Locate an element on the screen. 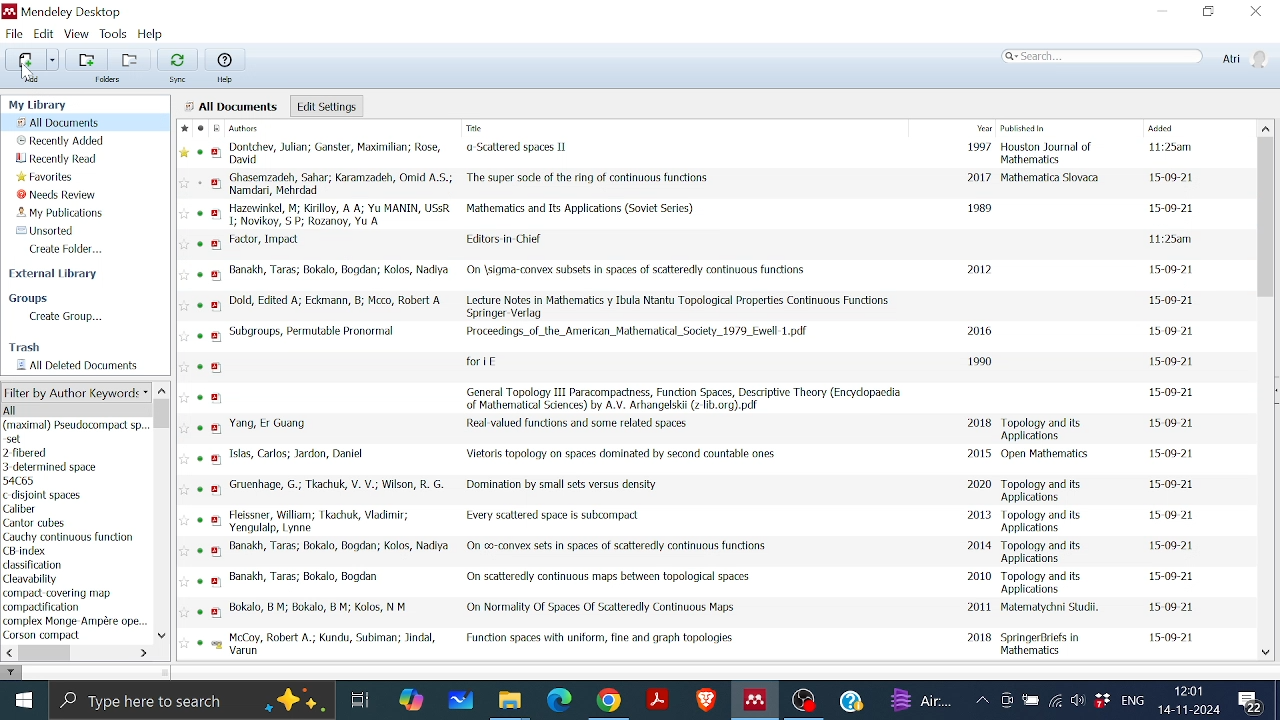 The image size is (1280, 720). Title is located at coordinates (609, 577).